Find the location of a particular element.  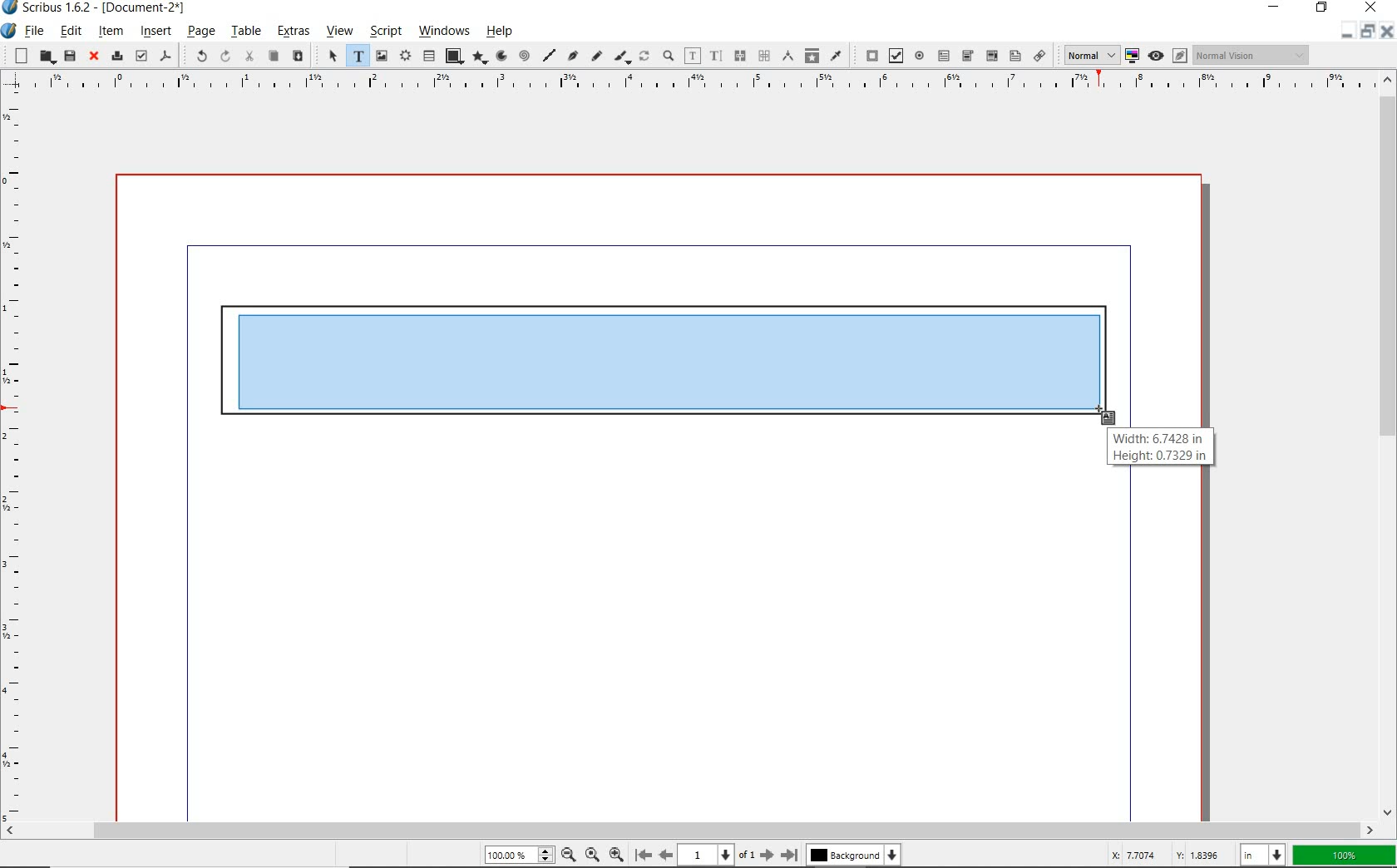

minimize is located at coordinates (1345, 36).